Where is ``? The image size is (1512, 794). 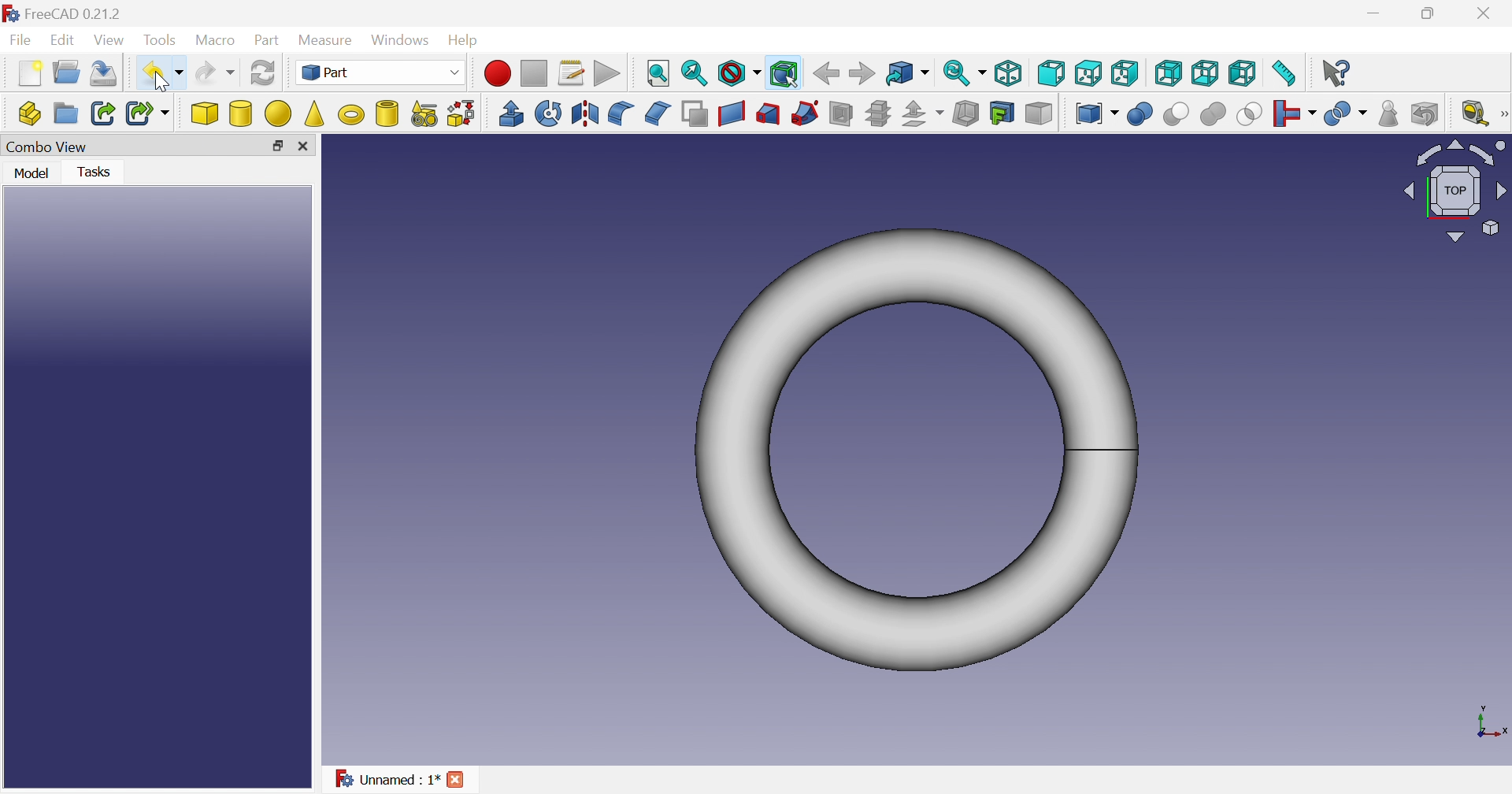  is located at coordinates (303, 145).